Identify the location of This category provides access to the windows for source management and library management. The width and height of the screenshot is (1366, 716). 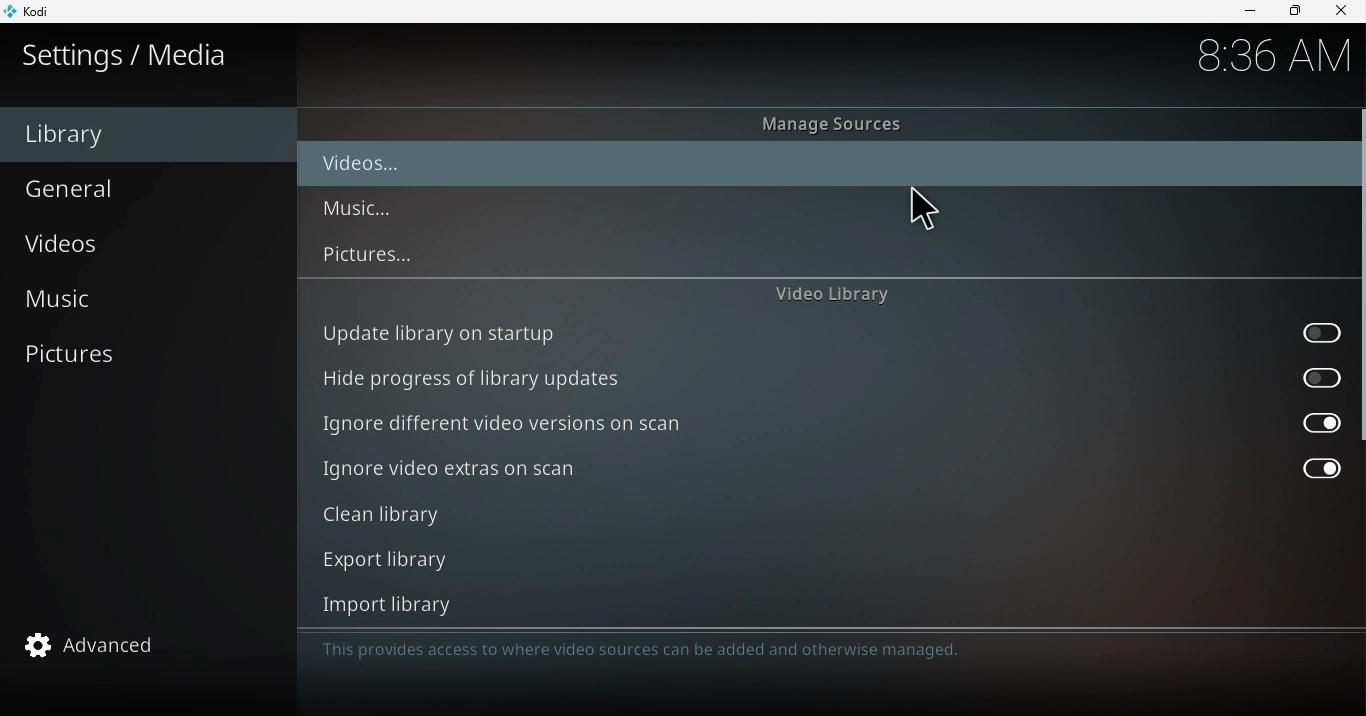
(740, 650).